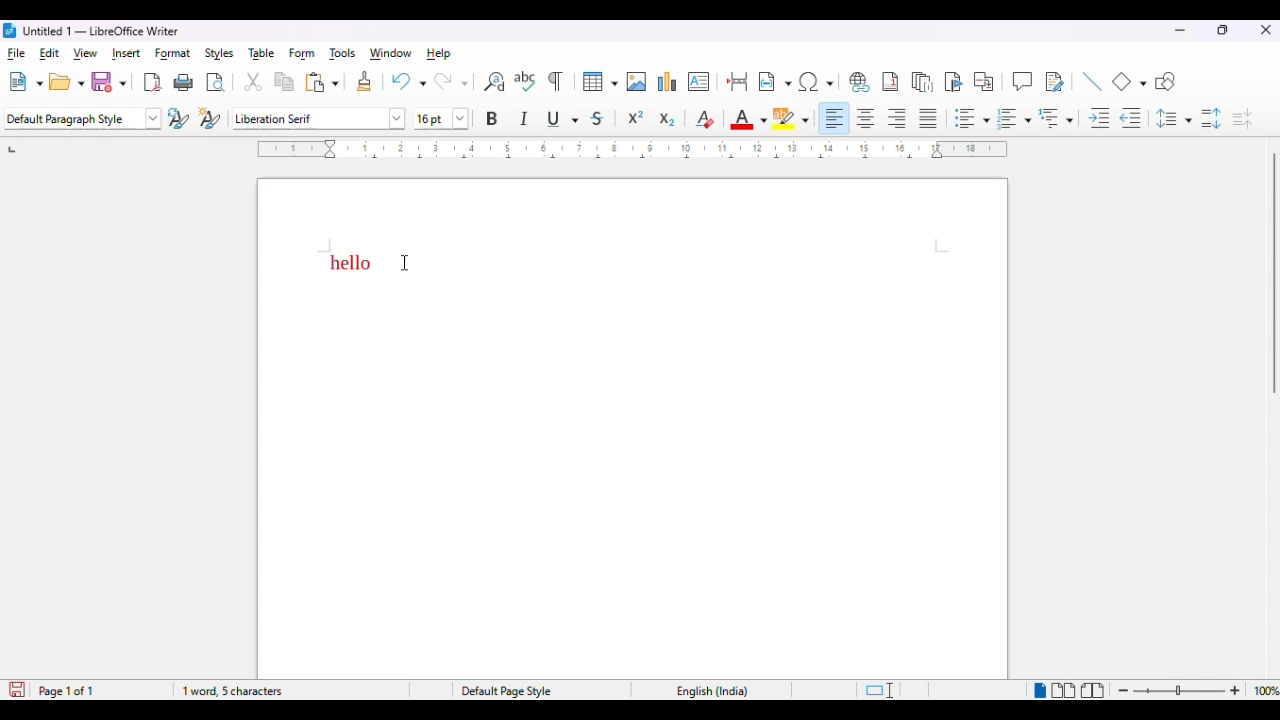  Describe the element at coordinates (866, 119) in the screenshot. I see `align center` at that location.